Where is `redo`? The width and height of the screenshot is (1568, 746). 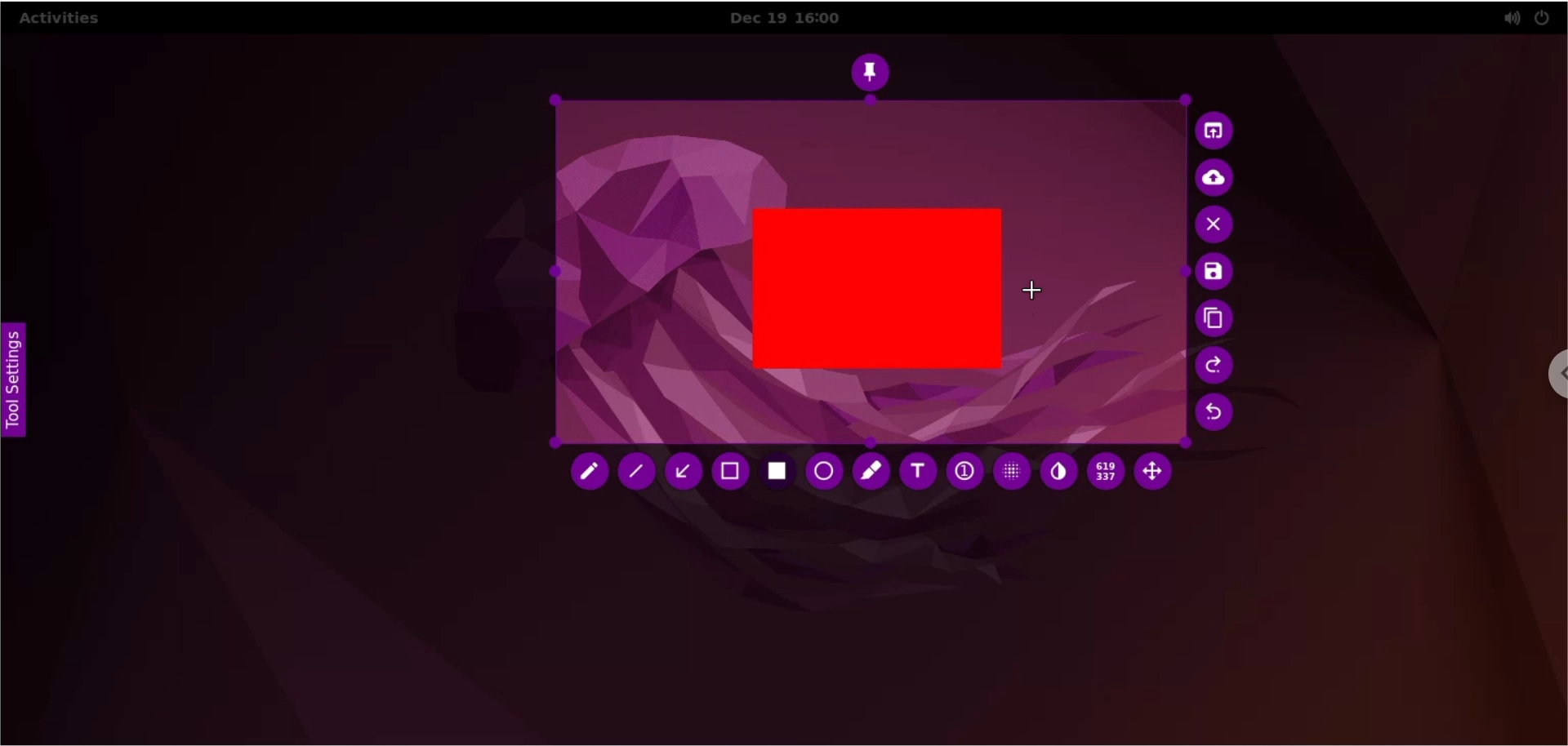
redo is located at coordinates (1214, 366).